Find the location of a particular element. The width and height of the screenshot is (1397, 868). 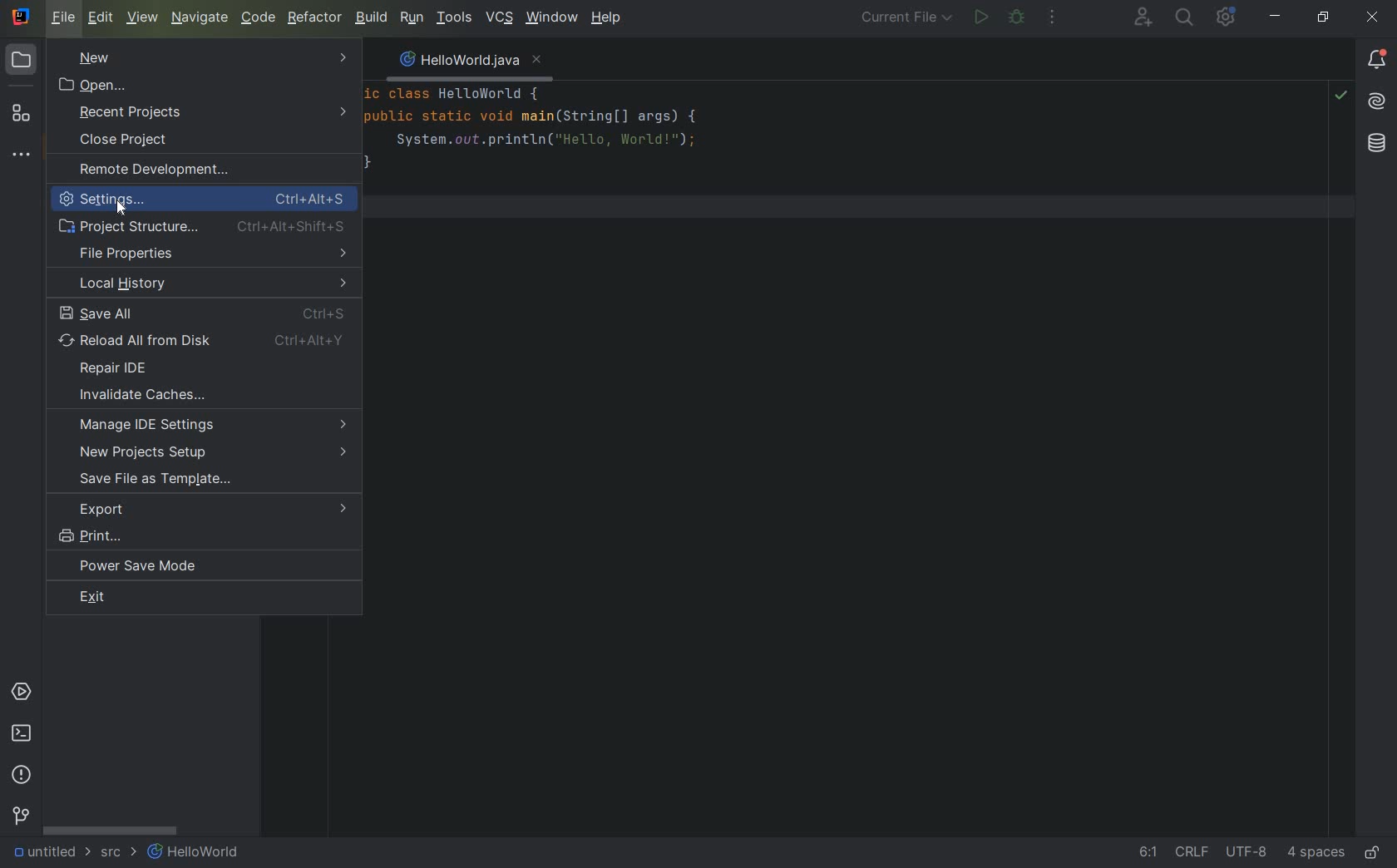

repair IDE is located at coordinates (131, 369).